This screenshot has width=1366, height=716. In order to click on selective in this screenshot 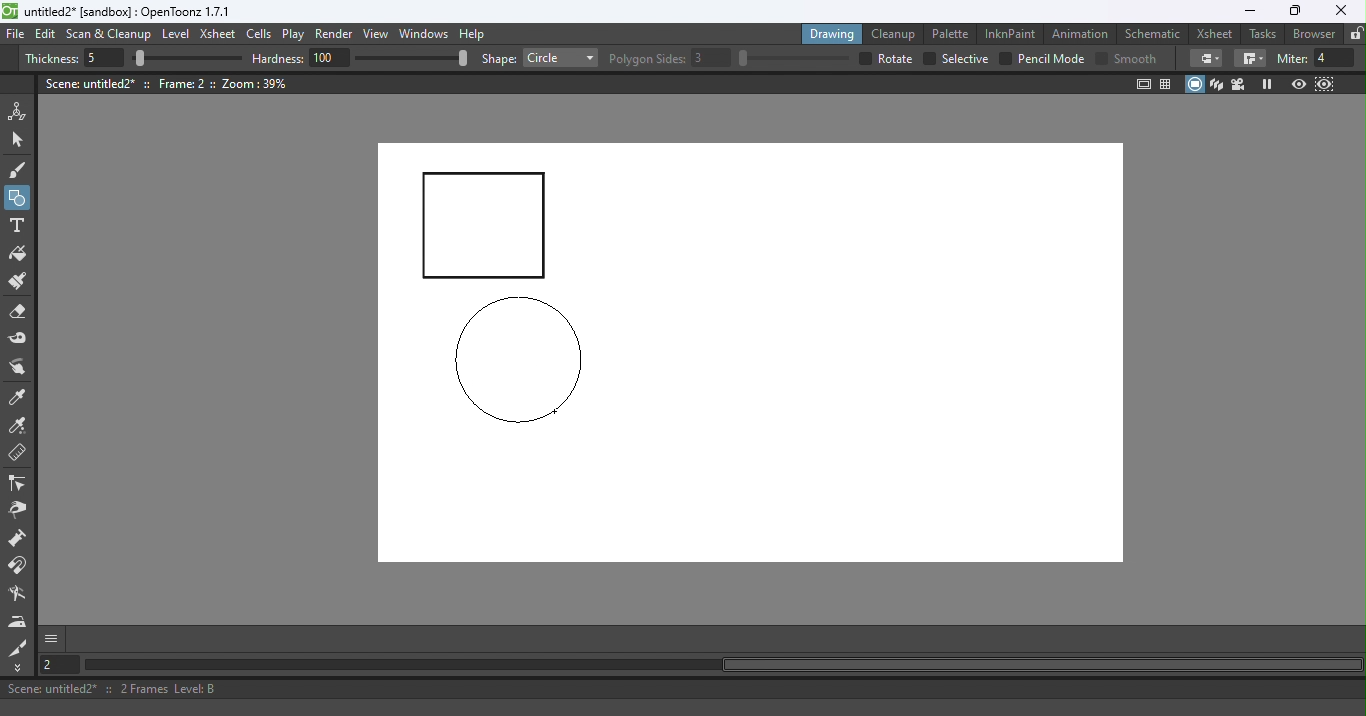, I will do `click(965, 59)`.